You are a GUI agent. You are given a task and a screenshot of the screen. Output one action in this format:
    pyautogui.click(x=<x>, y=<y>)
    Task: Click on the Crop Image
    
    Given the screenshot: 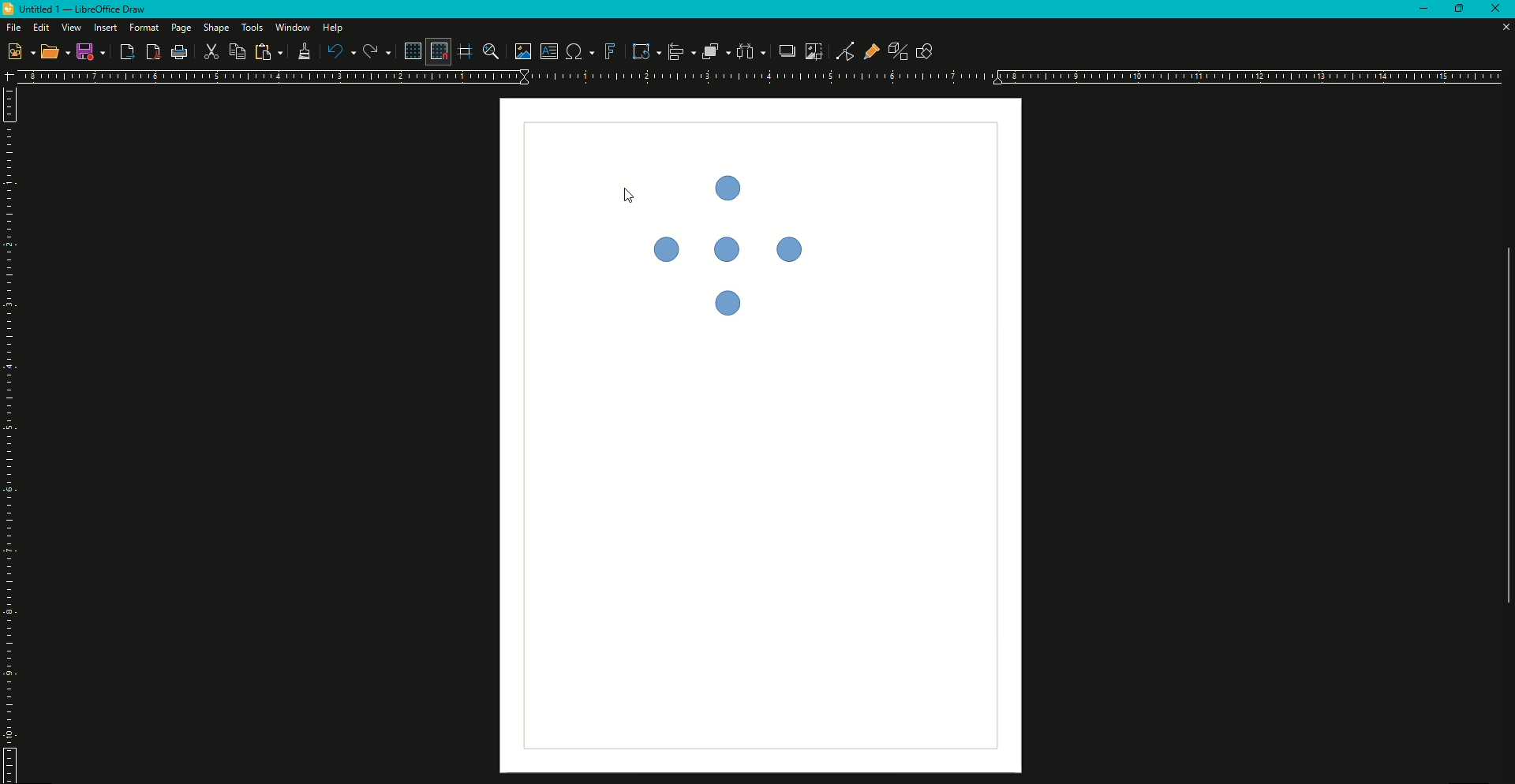 What is the action you would take?
    pyautogui.click(x=814, y=52)
    